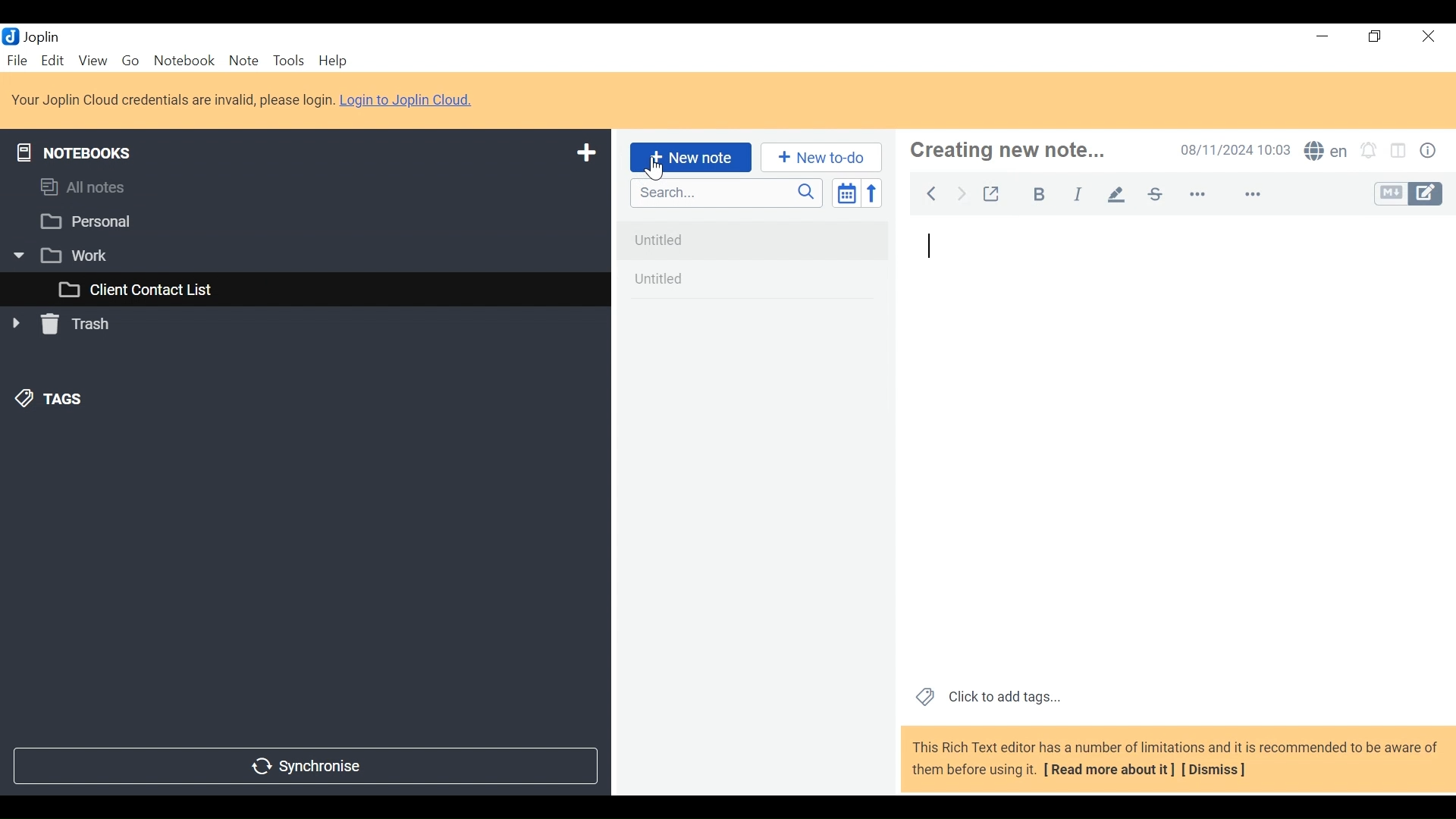 The image size is (1456, 819). I want to click on Tools, so click(287, 61).